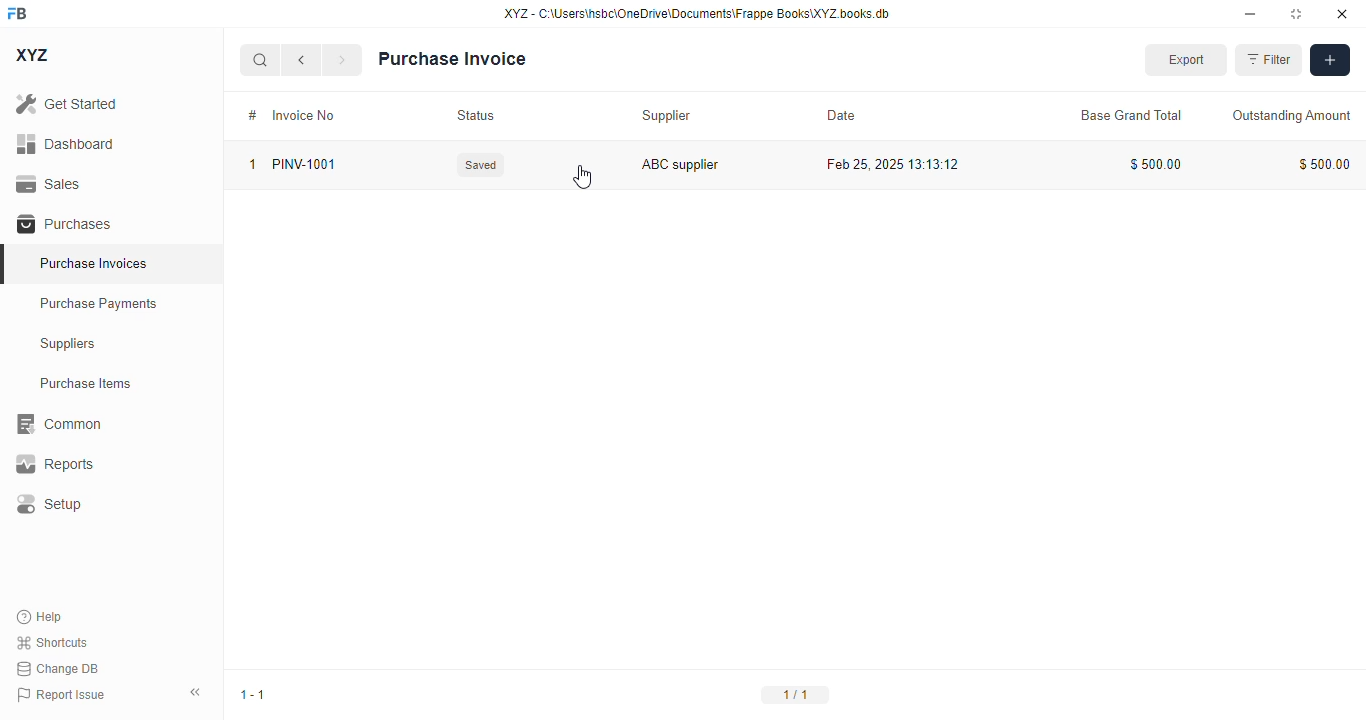 The height and width of the screenshot is (720, 1366). I want to click on shortcuts, so click(53, 642).